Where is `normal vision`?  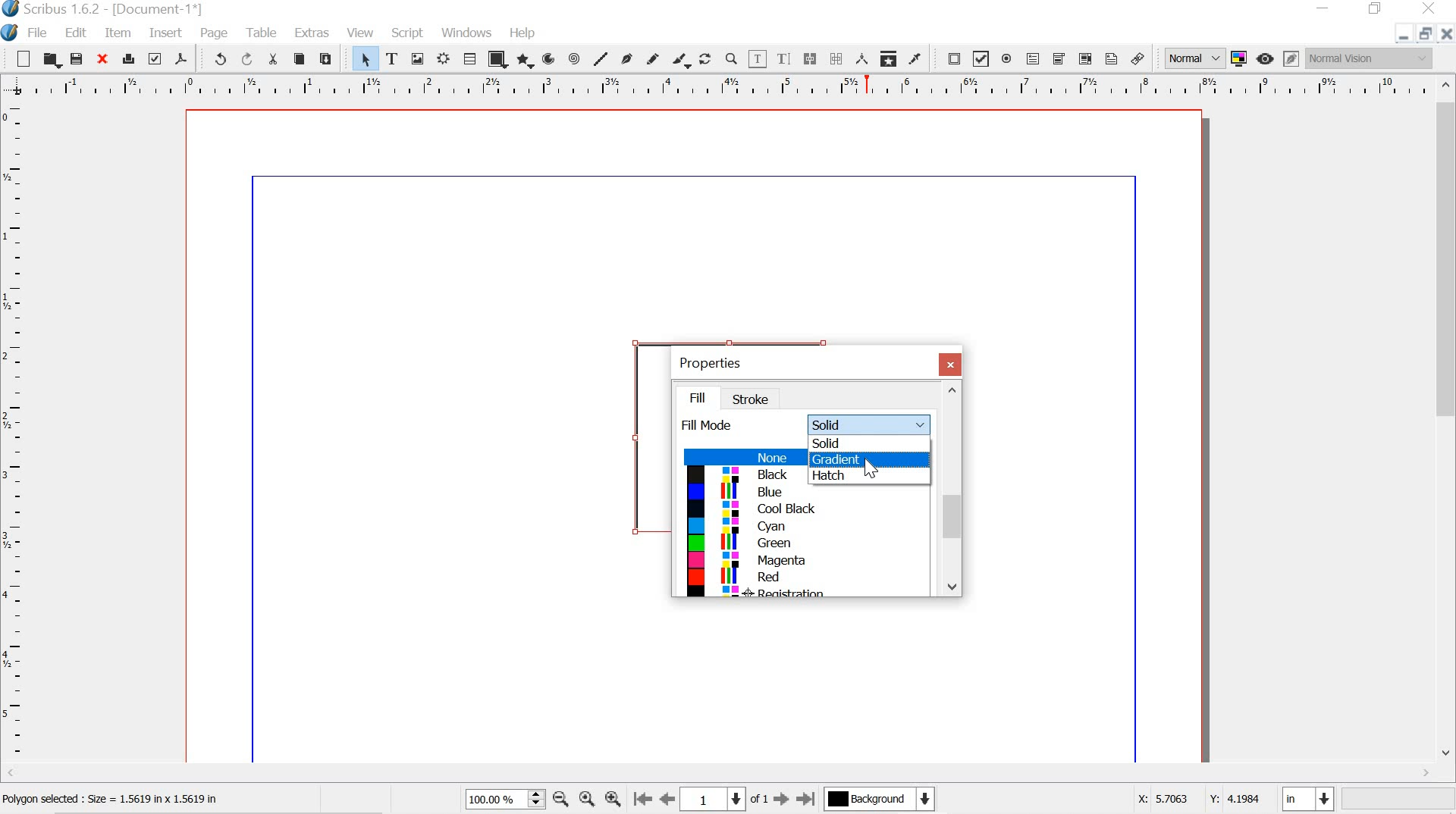 normal vision is located at coordinates (1370, 60).